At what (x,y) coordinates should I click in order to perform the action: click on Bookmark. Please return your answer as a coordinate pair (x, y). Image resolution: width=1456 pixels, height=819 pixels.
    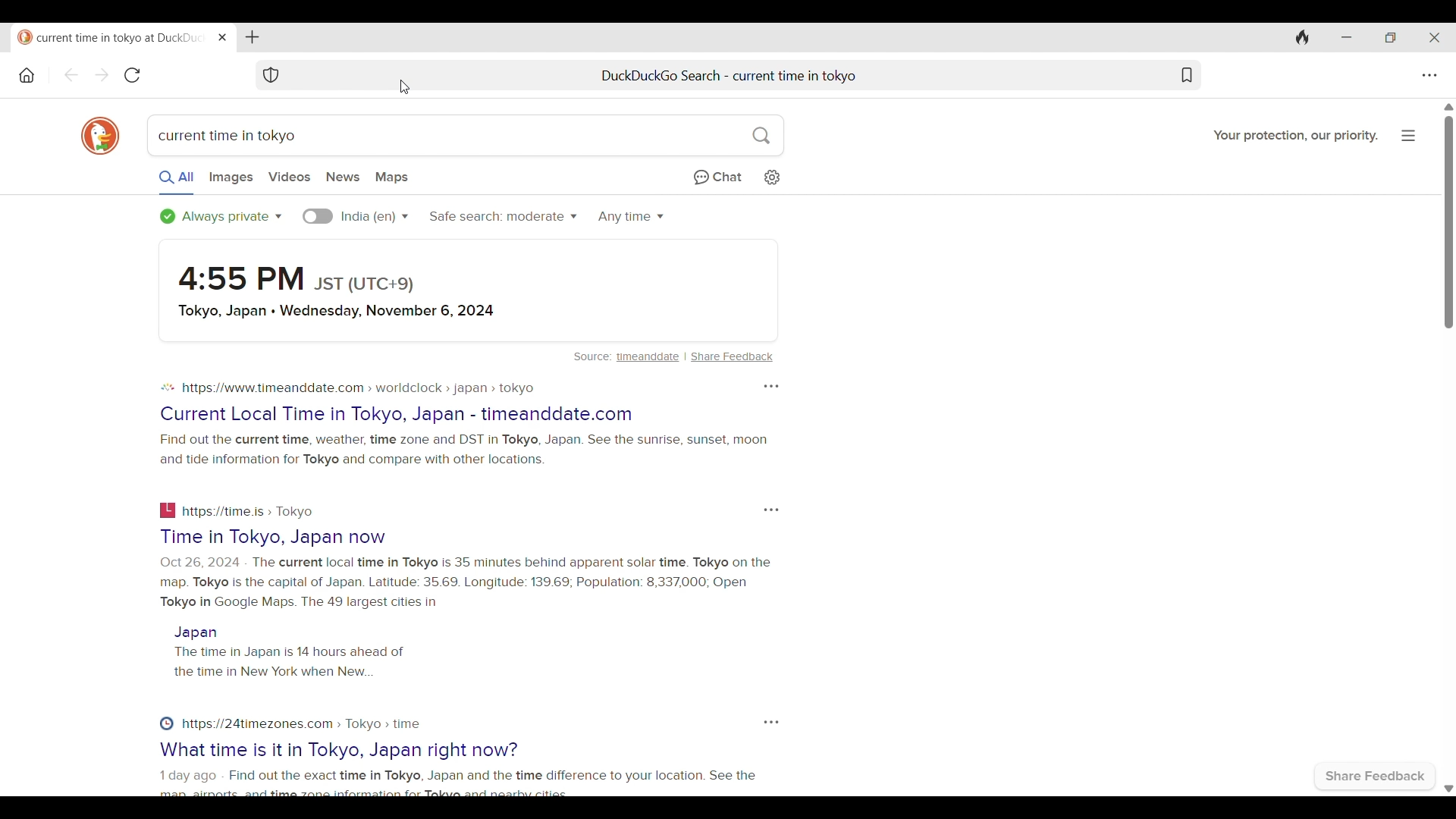
    Looking at the image, I should click on (1187, 75).